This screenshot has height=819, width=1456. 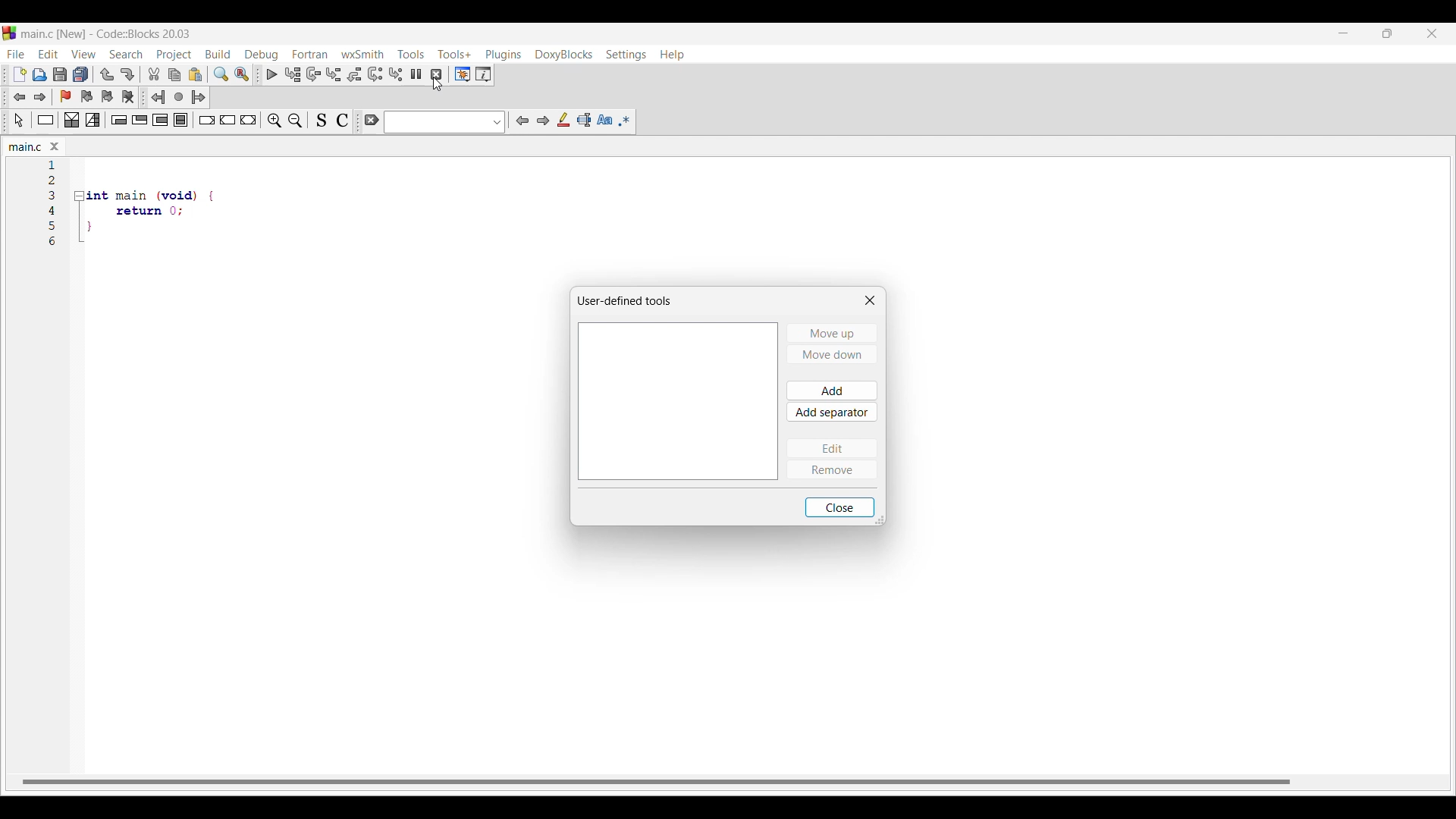 What do you see at coordinates (1432, 33) in the screenshot?
I see `Close interface` at bounding box center [1432, 33].